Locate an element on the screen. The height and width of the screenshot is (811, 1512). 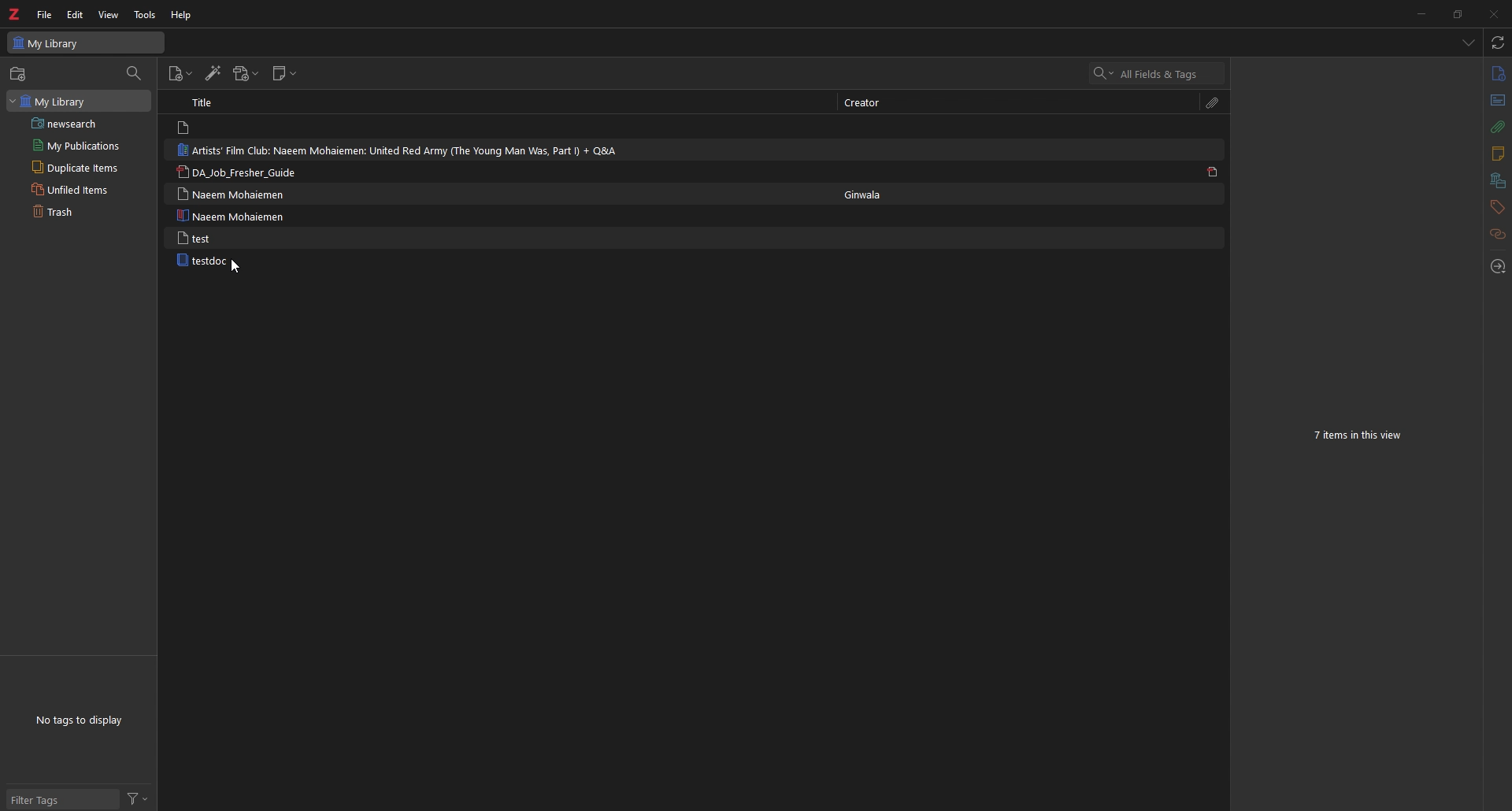
filter tags is located at coordinates (61, 801).